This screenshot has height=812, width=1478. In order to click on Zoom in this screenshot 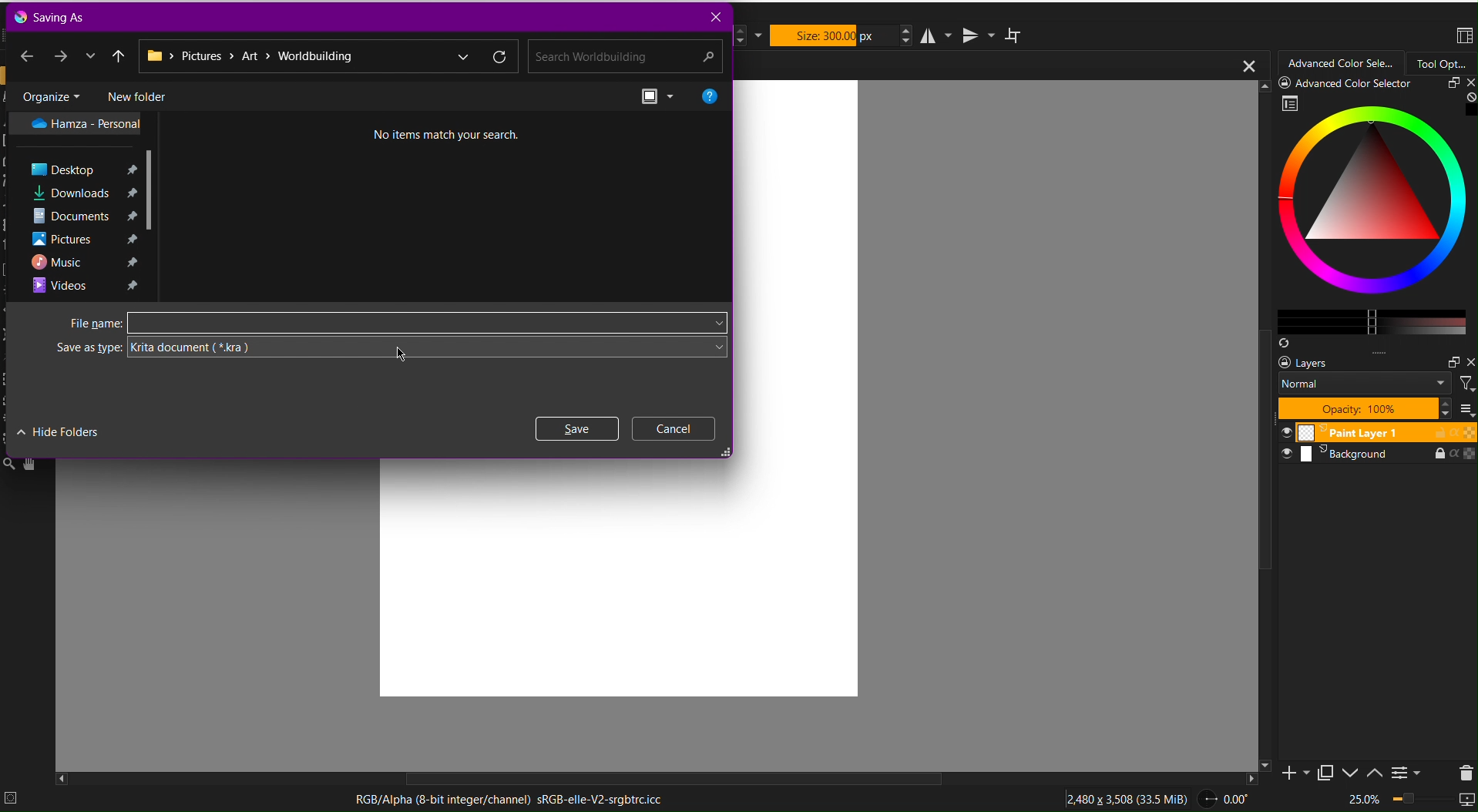, I will do `click(1409, 800)`.